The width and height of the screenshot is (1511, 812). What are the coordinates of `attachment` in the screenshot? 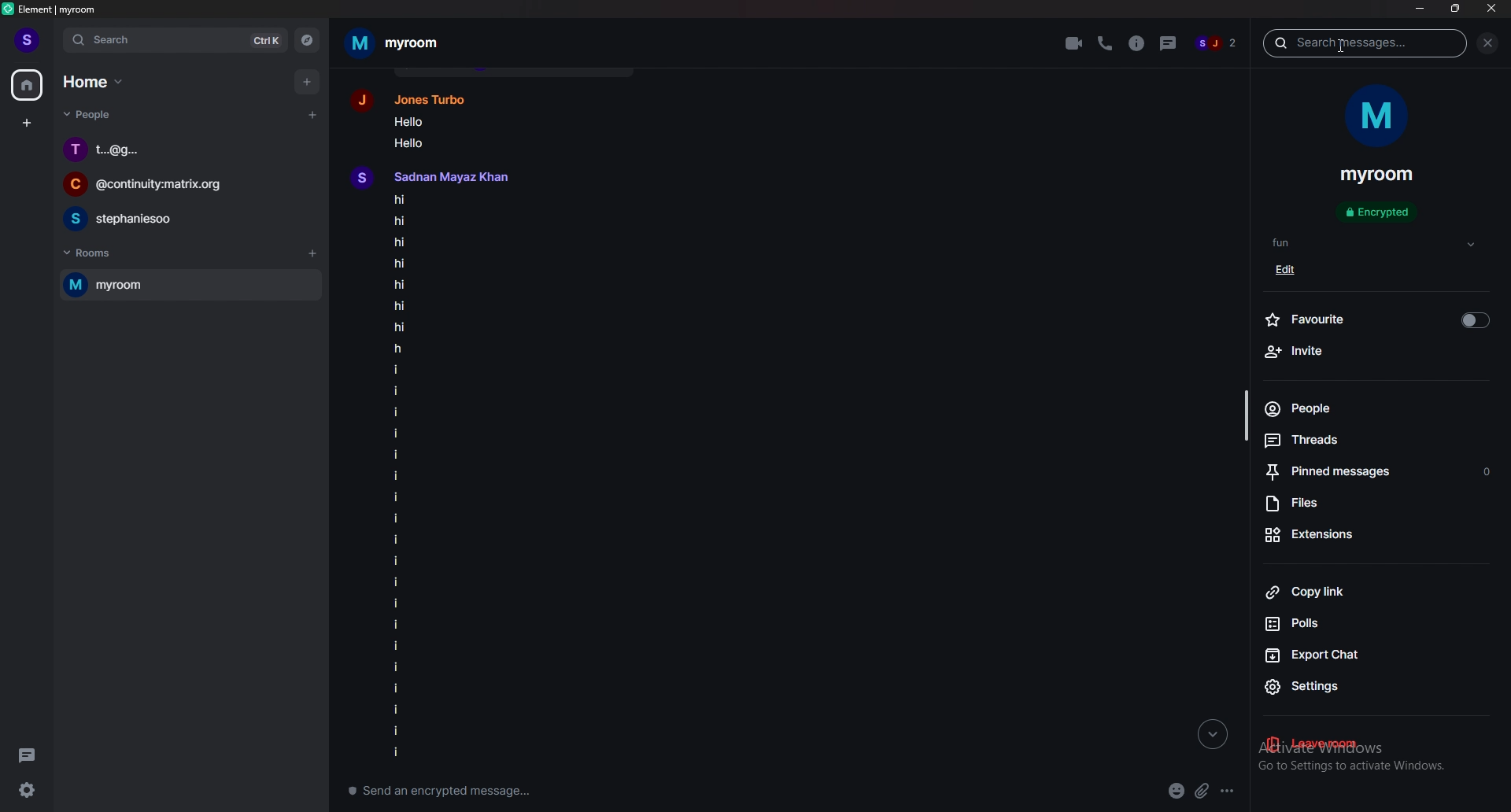 It's located at (1202, 790).